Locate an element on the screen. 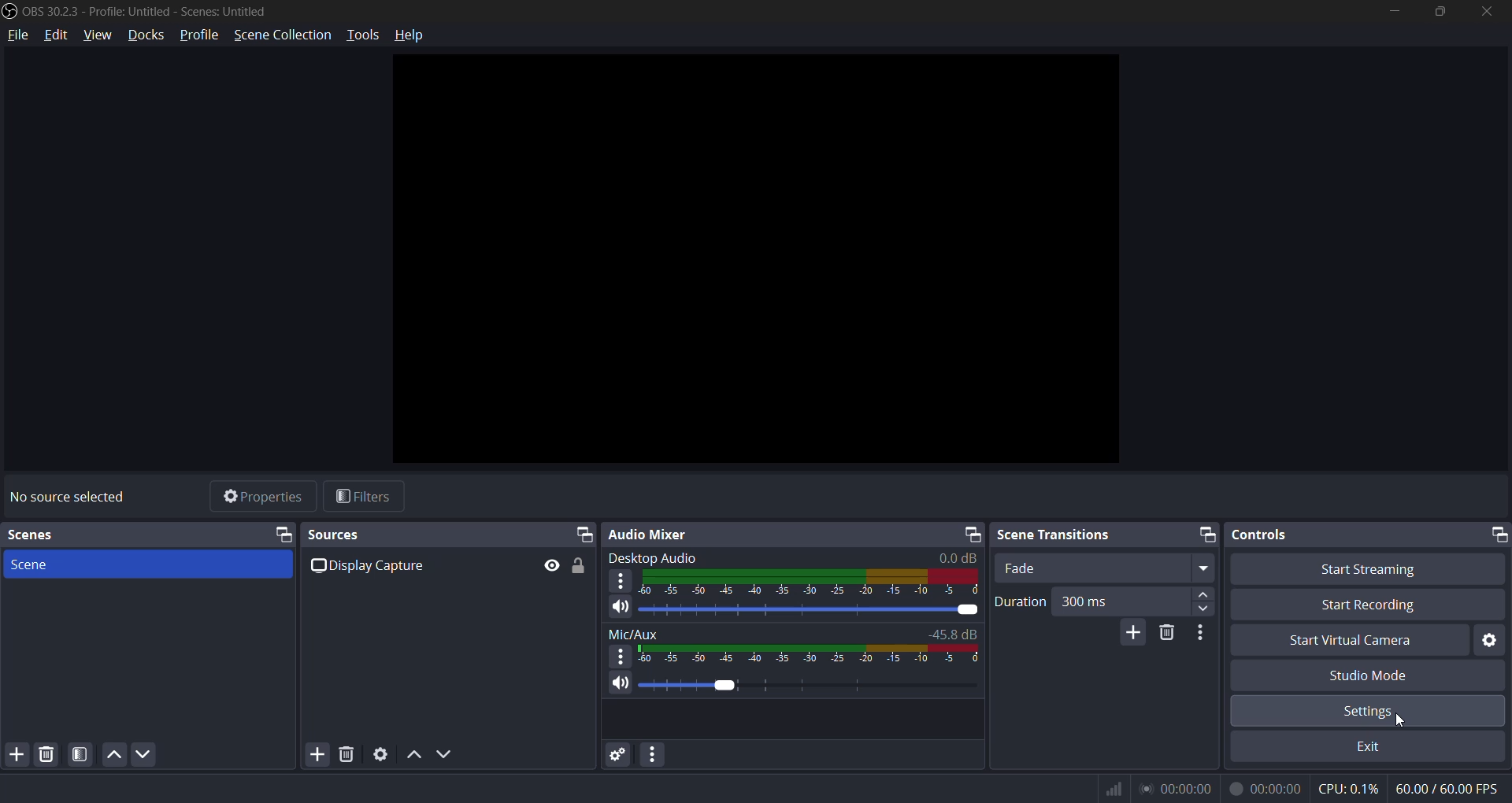 The height and width of the screenshot is (803, 1512). audio mixer menu is located at coordinates (658, 753).